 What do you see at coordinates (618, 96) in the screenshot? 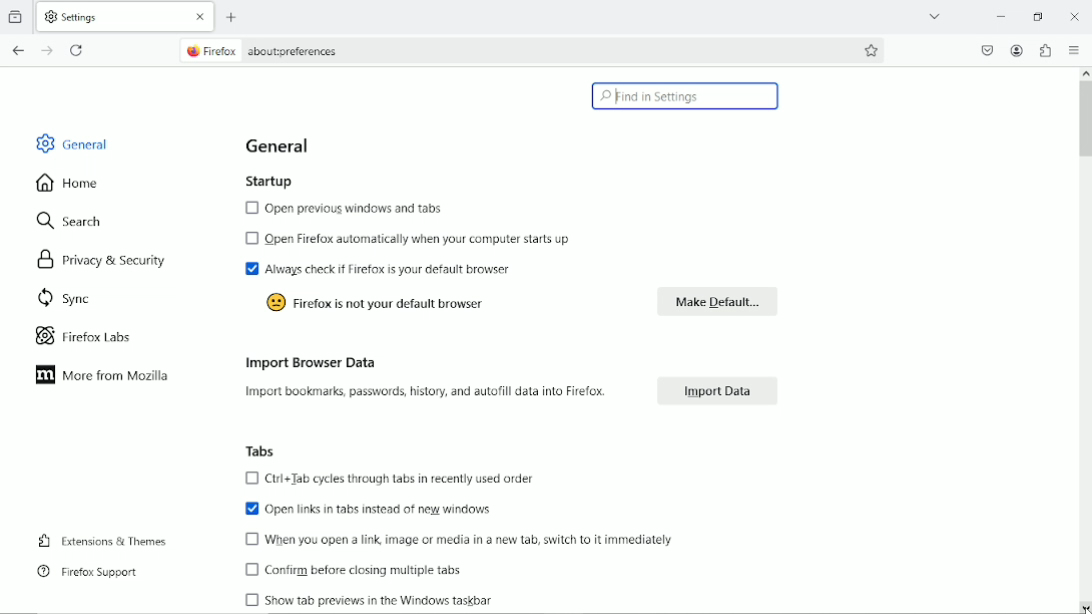
I see `cursor` at bounding box center [618, 96].